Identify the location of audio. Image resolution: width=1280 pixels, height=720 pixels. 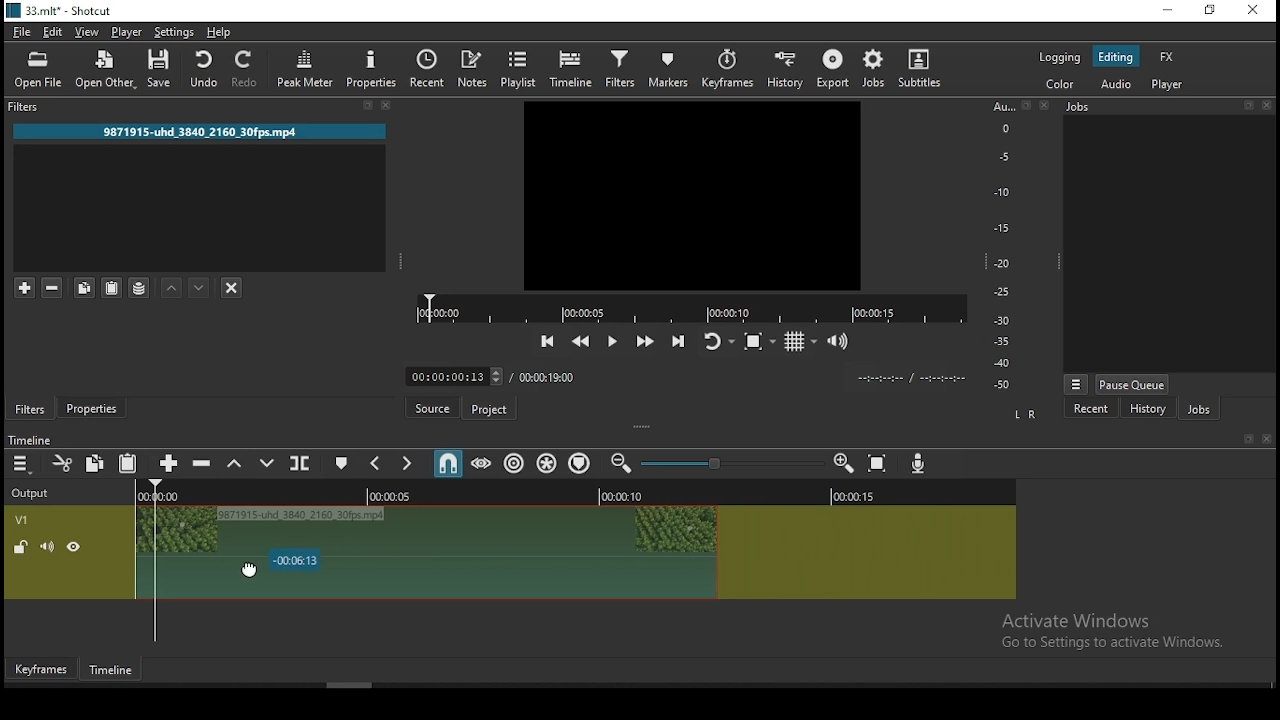
(1117, 84).